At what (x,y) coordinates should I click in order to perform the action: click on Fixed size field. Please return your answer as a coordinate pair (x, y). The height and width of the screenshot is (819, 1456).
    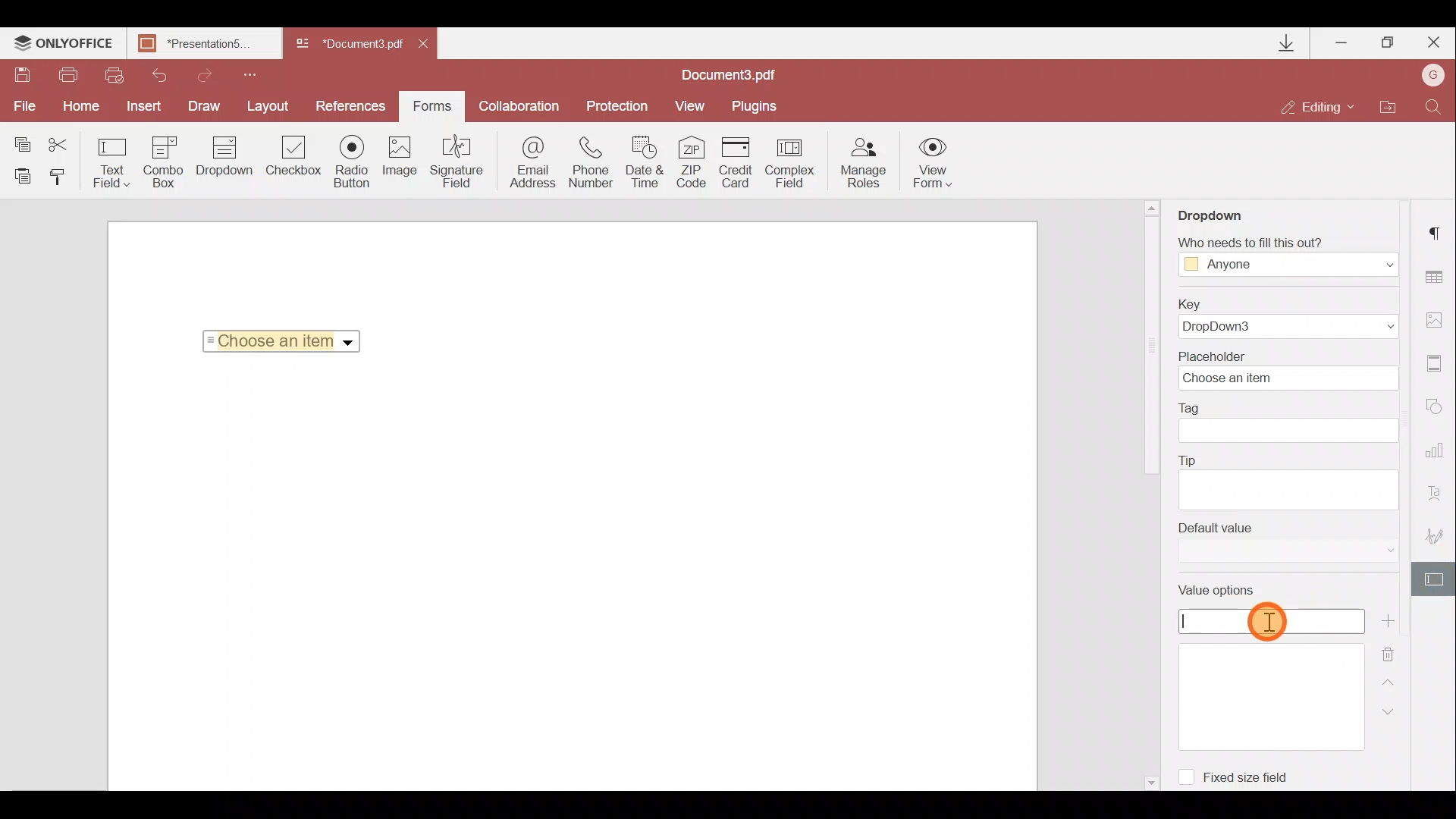
    Looking at the image, I should click on (1255, 780).